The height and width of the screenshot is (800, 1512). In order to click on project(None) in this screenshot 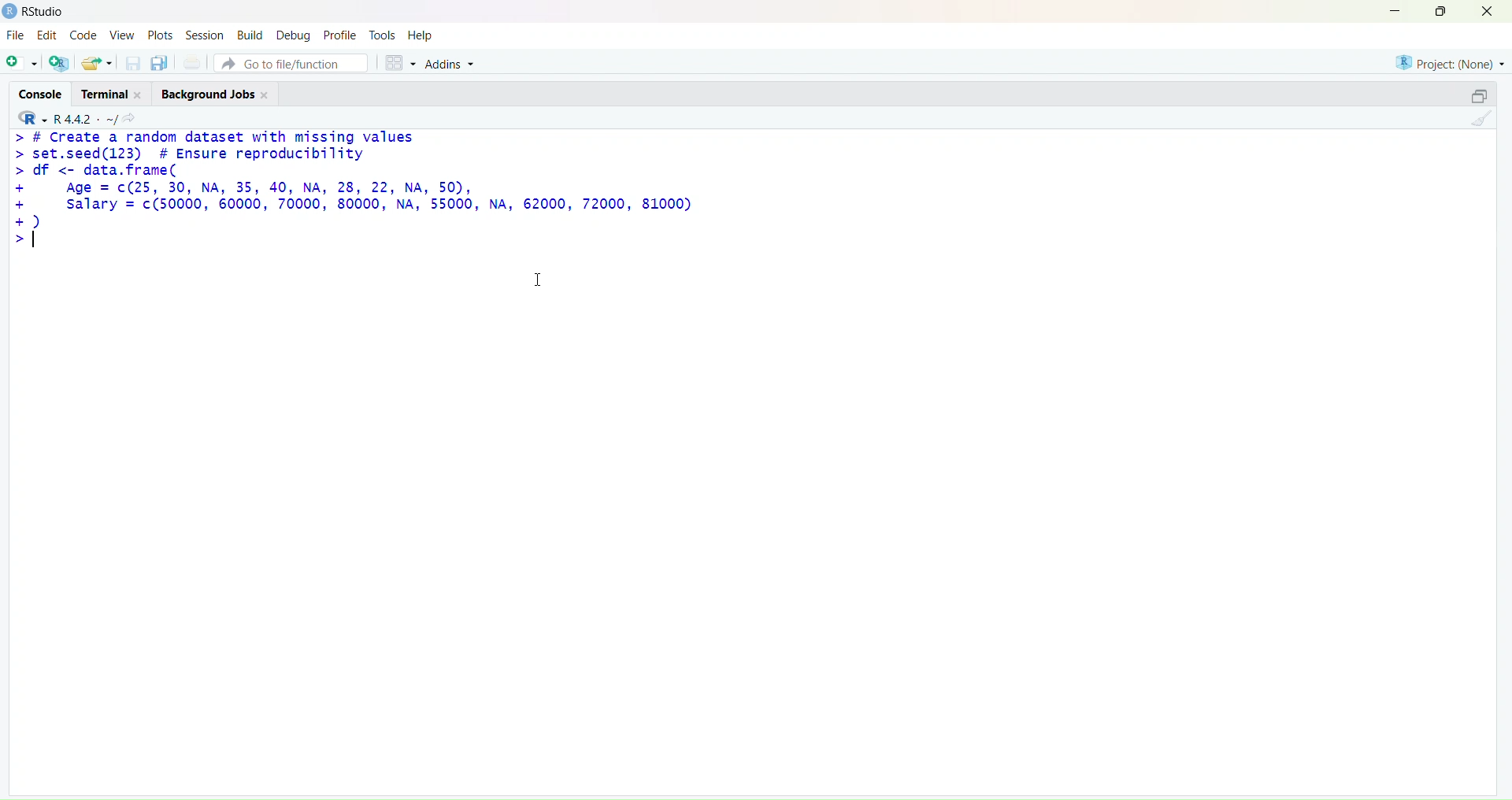, I will do `click(1449, 61)`.